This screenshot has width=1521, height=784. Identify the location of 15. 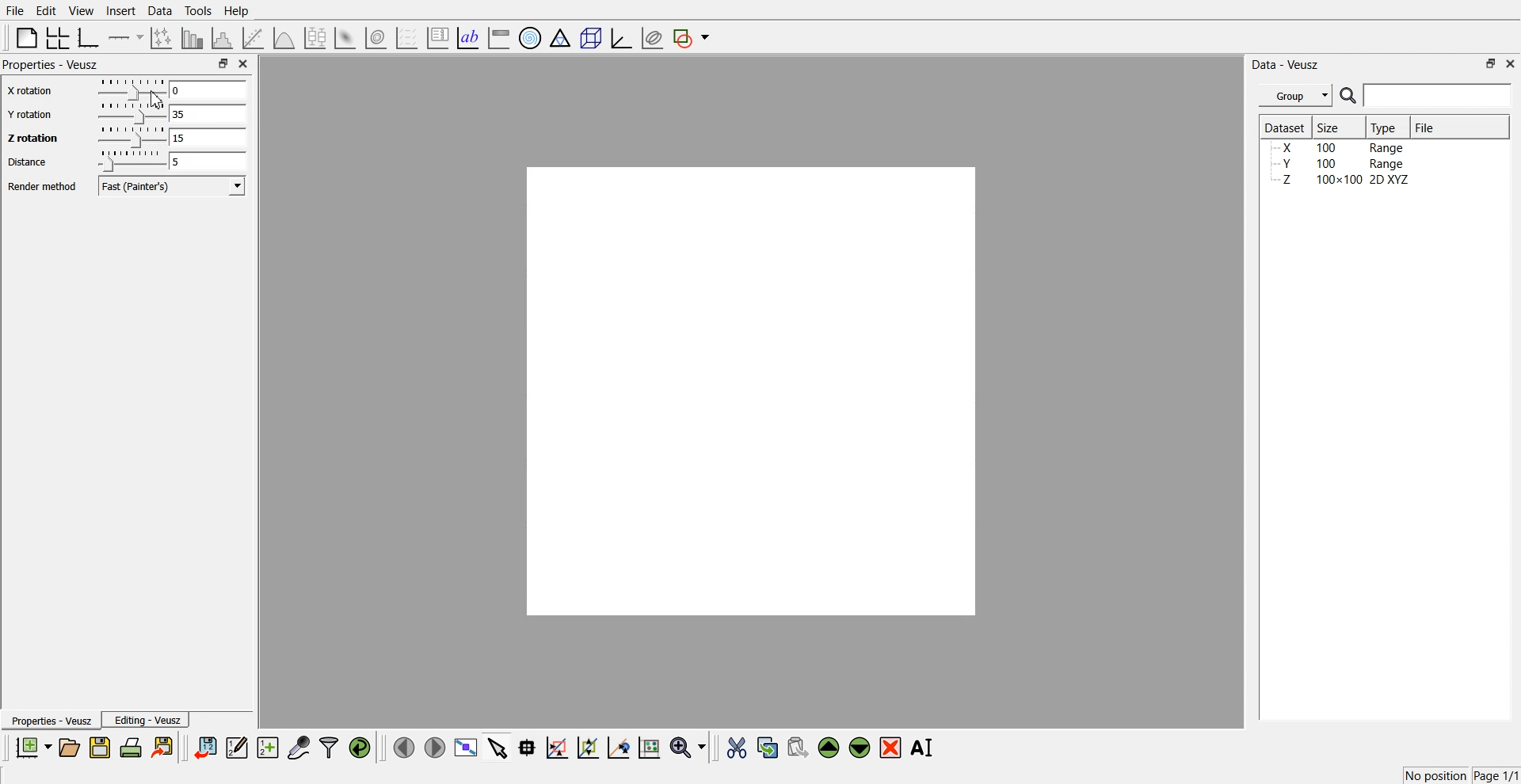
(208, 137).